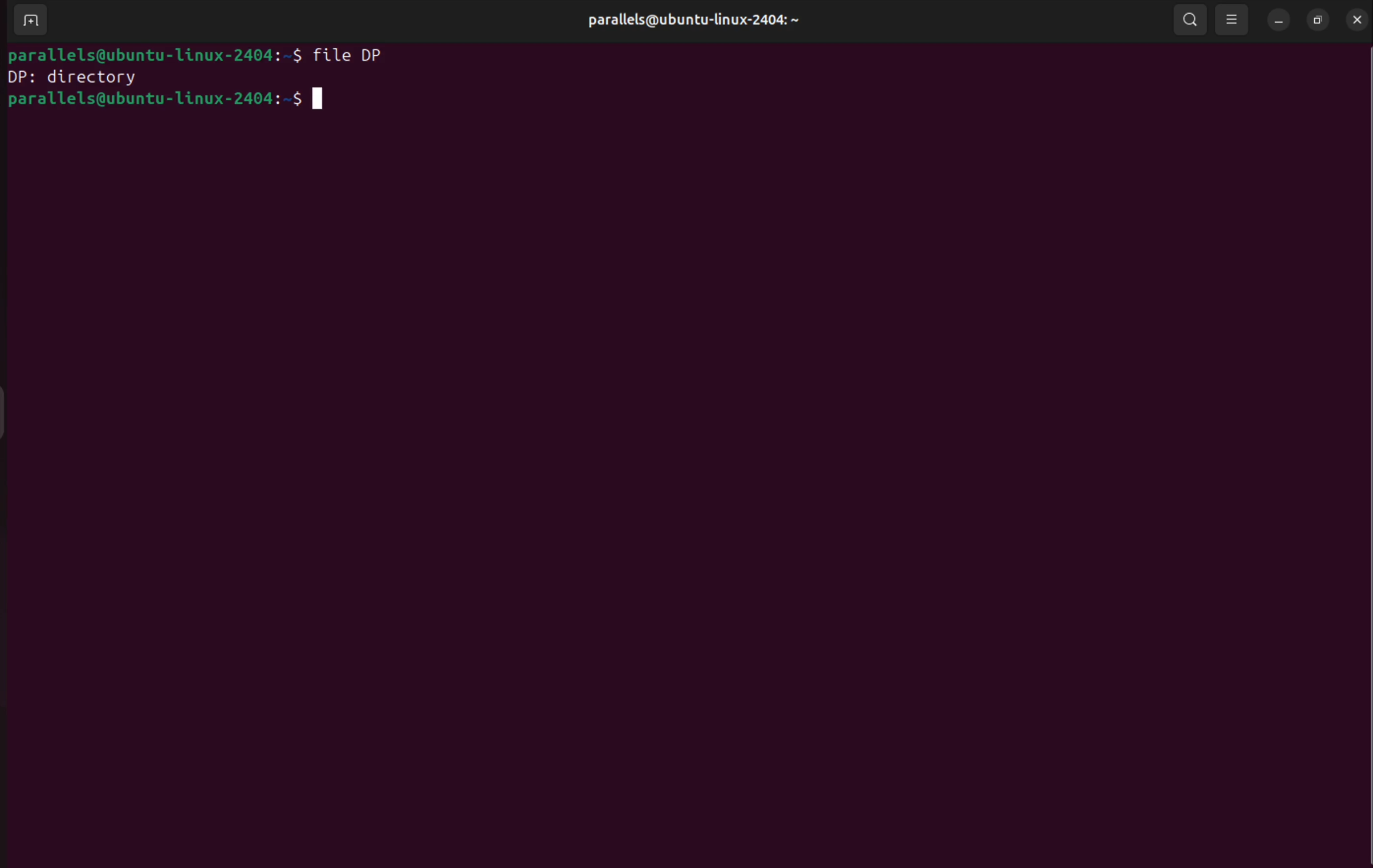 This screenshot has height=868, width=1373. What do you see at coordinates (1279, 21) in the screenshot?
I see `minimize` at bounding box center [1279, 21].